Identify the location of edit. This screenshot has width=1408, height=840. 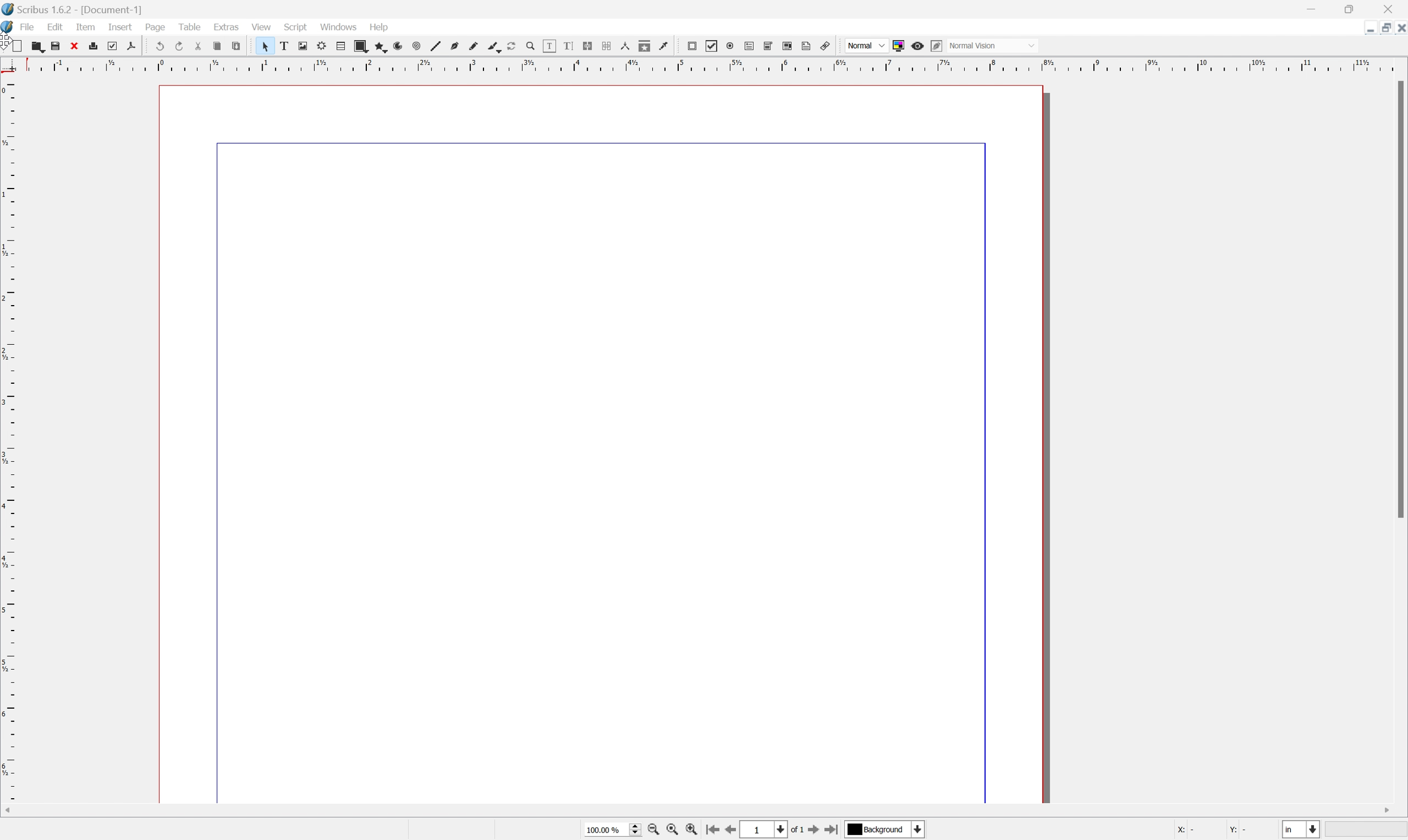
(55, 26).